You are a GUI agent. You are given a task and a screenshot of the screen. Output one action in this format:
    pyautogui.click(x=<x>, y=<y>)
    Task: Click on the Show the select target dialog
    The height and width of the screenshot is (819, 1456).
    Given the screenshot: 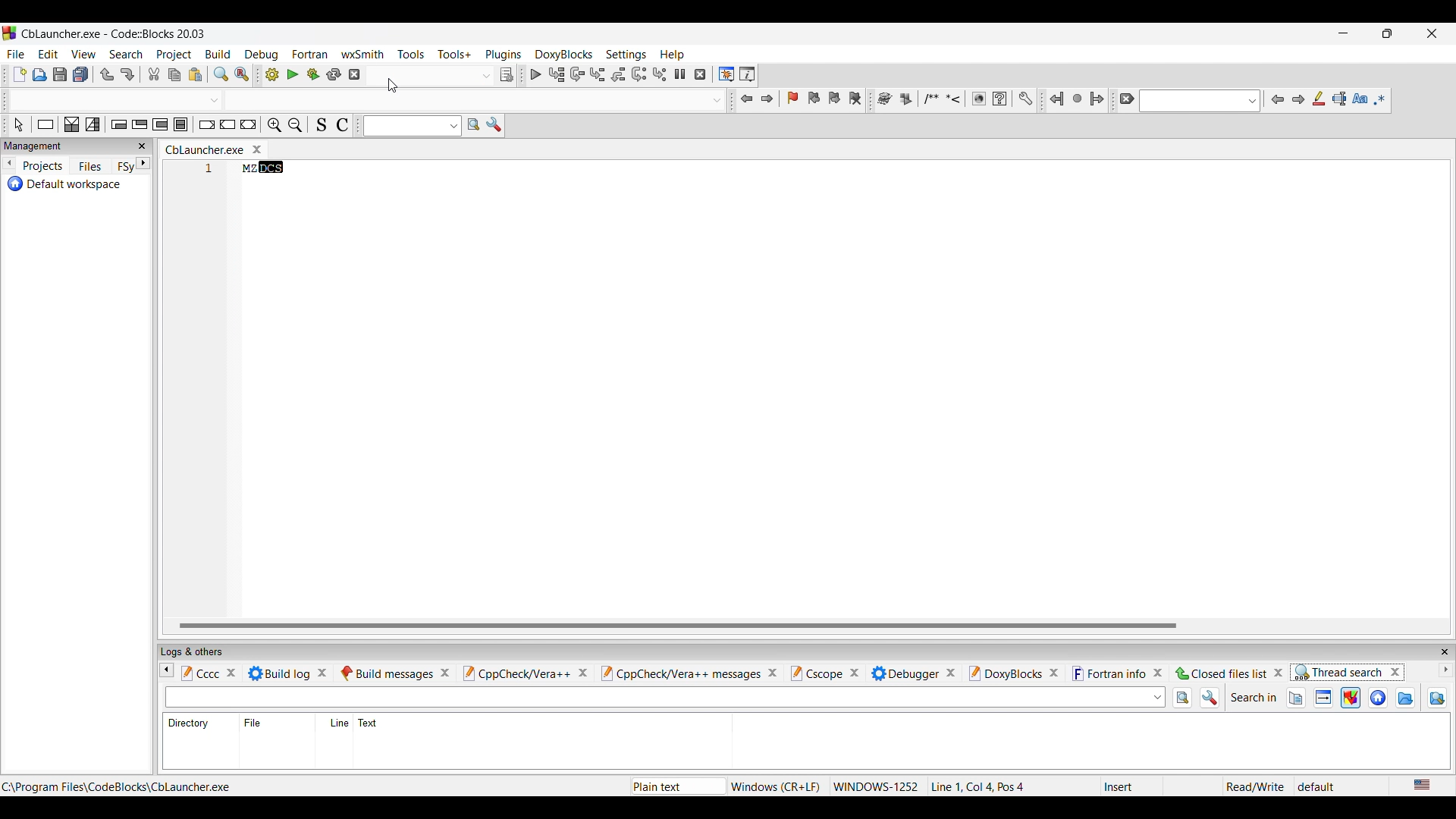 What is the action you would take?
    pyautogui.click(x=507, y=74)
    